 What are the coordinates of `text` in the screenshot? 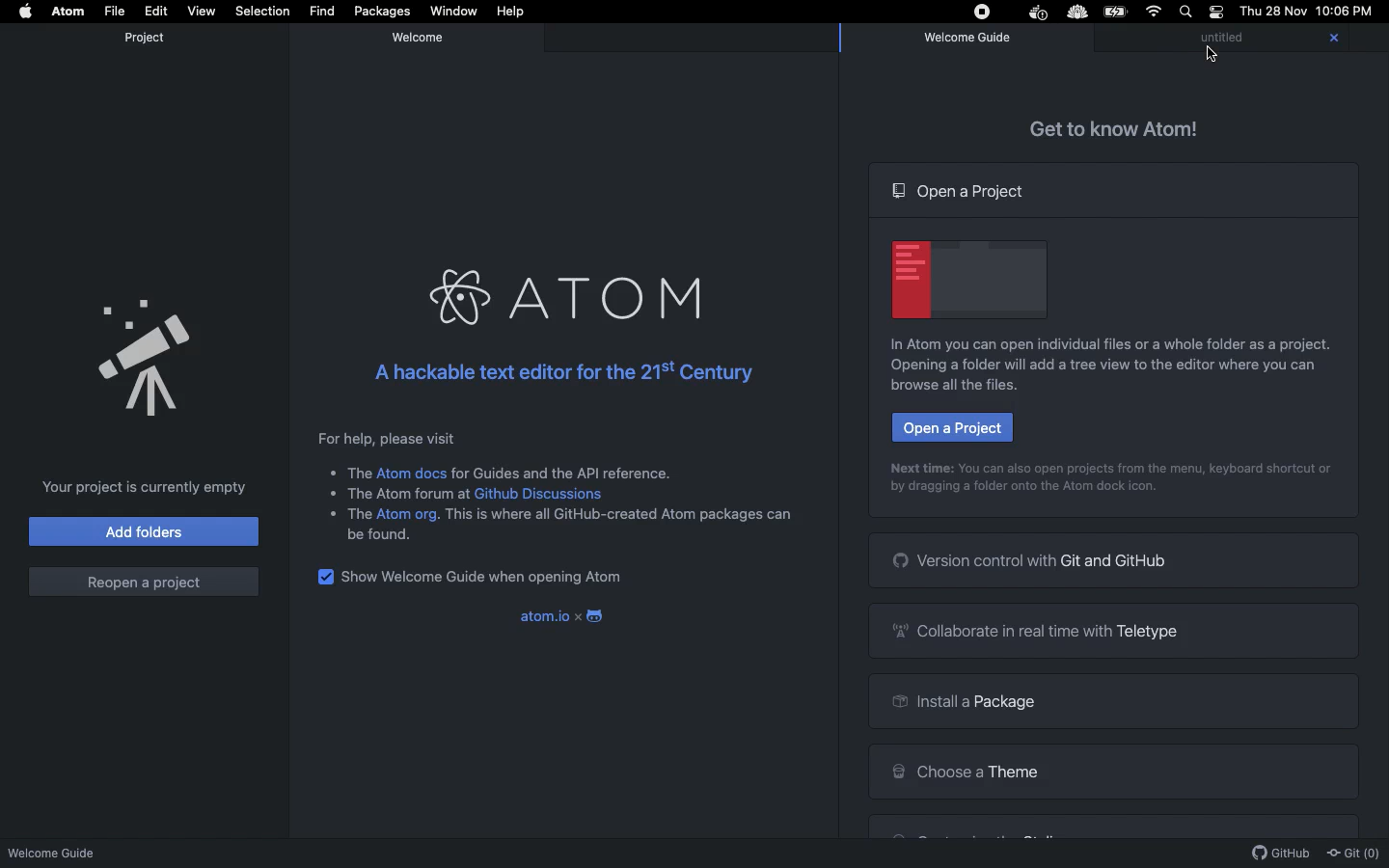 It's located at (619, 514).